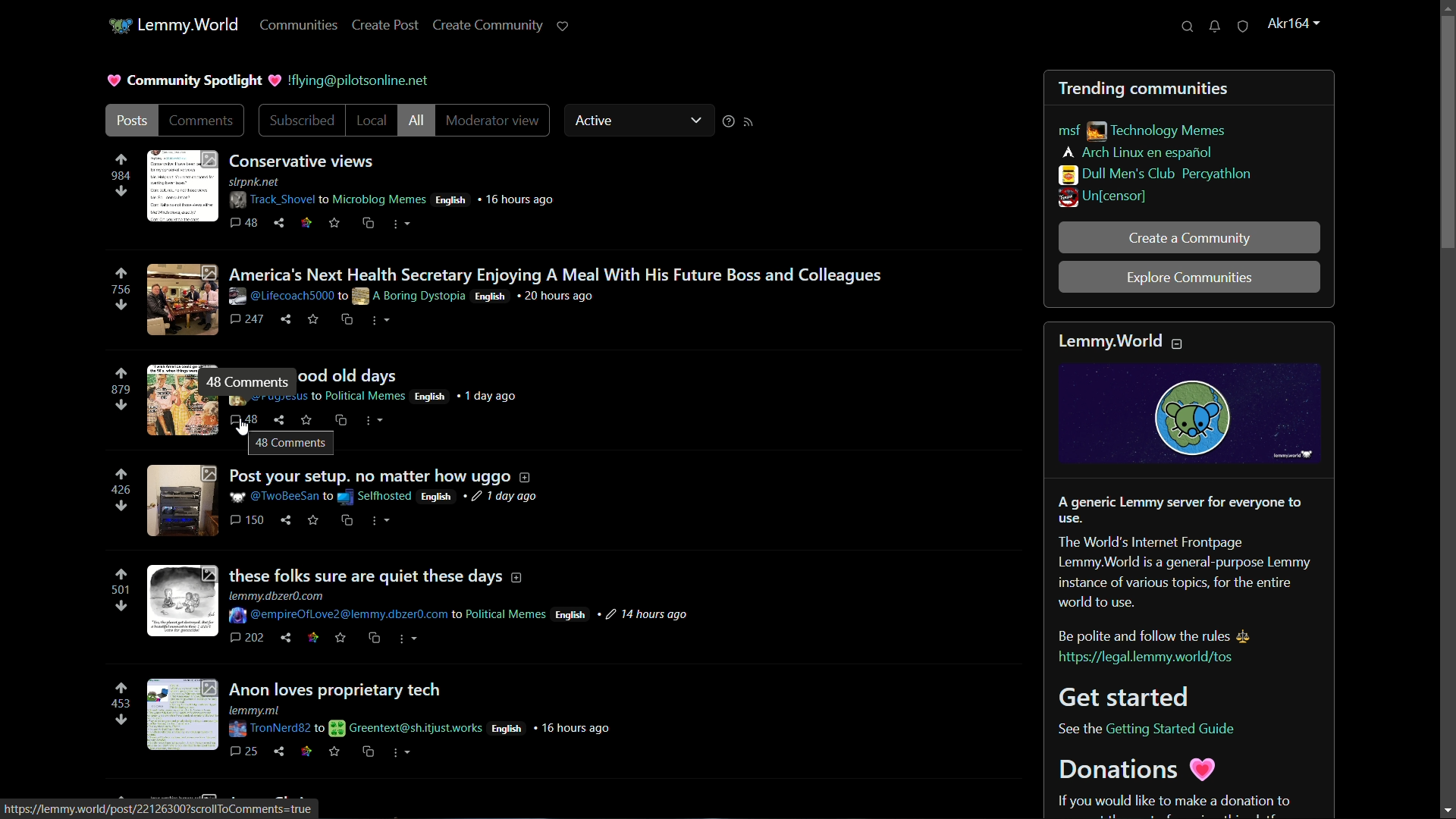 The width and height of the screenshot is (1456, 819). I want to click on comments, so click(204, 119).